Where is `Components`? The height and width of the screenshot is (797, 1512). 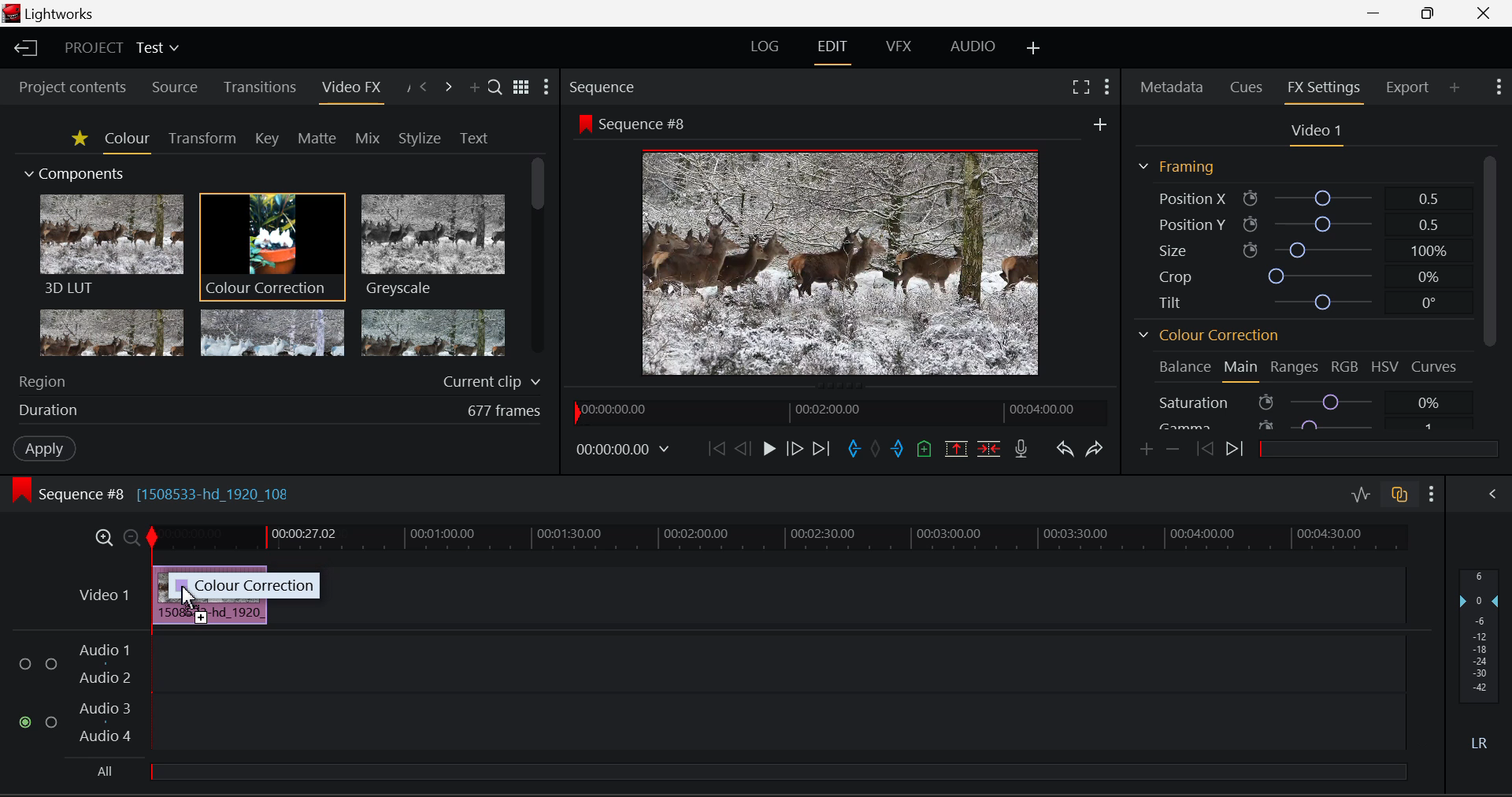 Components is located at coordinates (76, 175).